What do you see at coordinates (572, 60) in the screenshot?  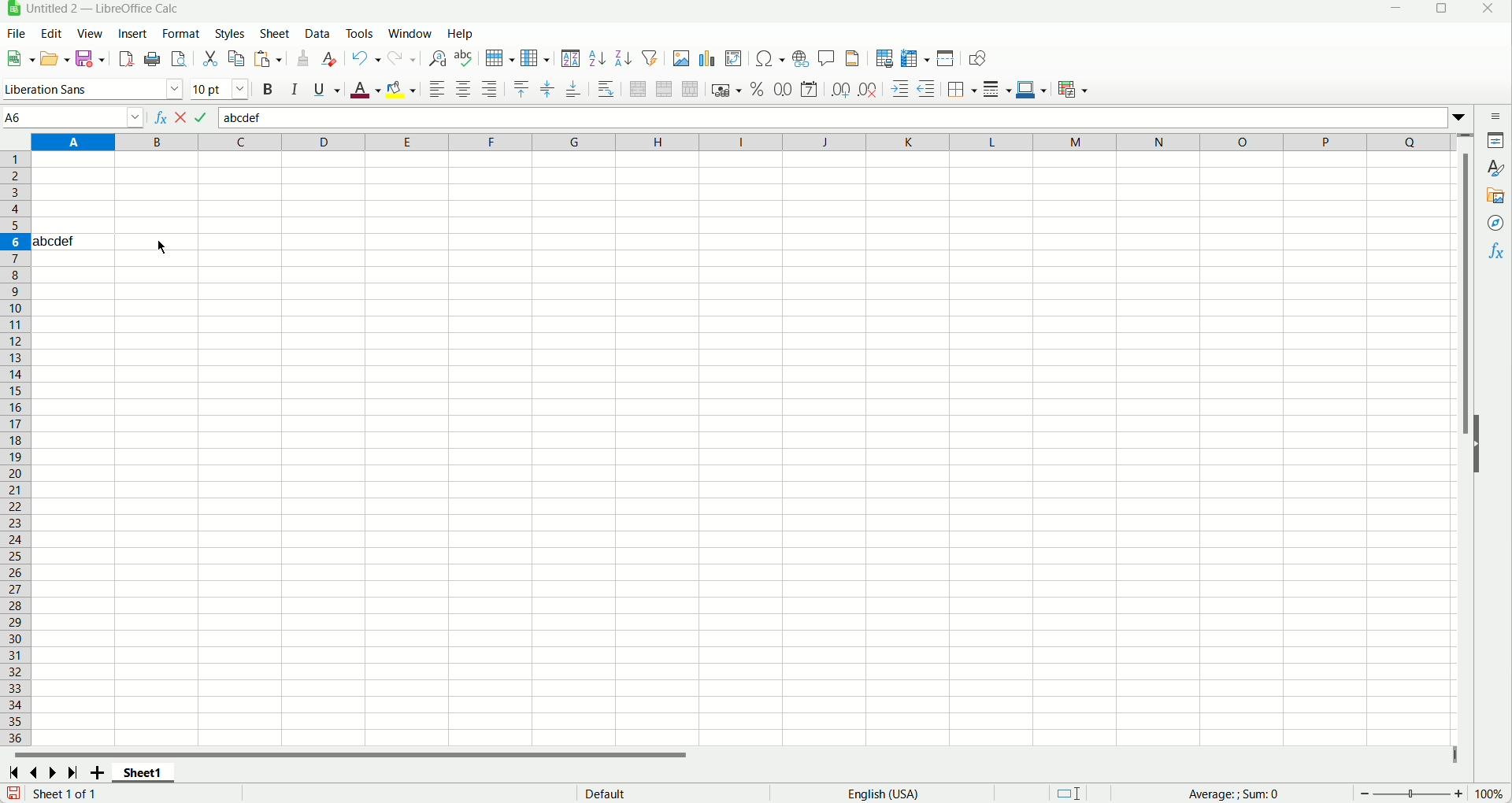 I see `sort` at bounding box center [572, 60].